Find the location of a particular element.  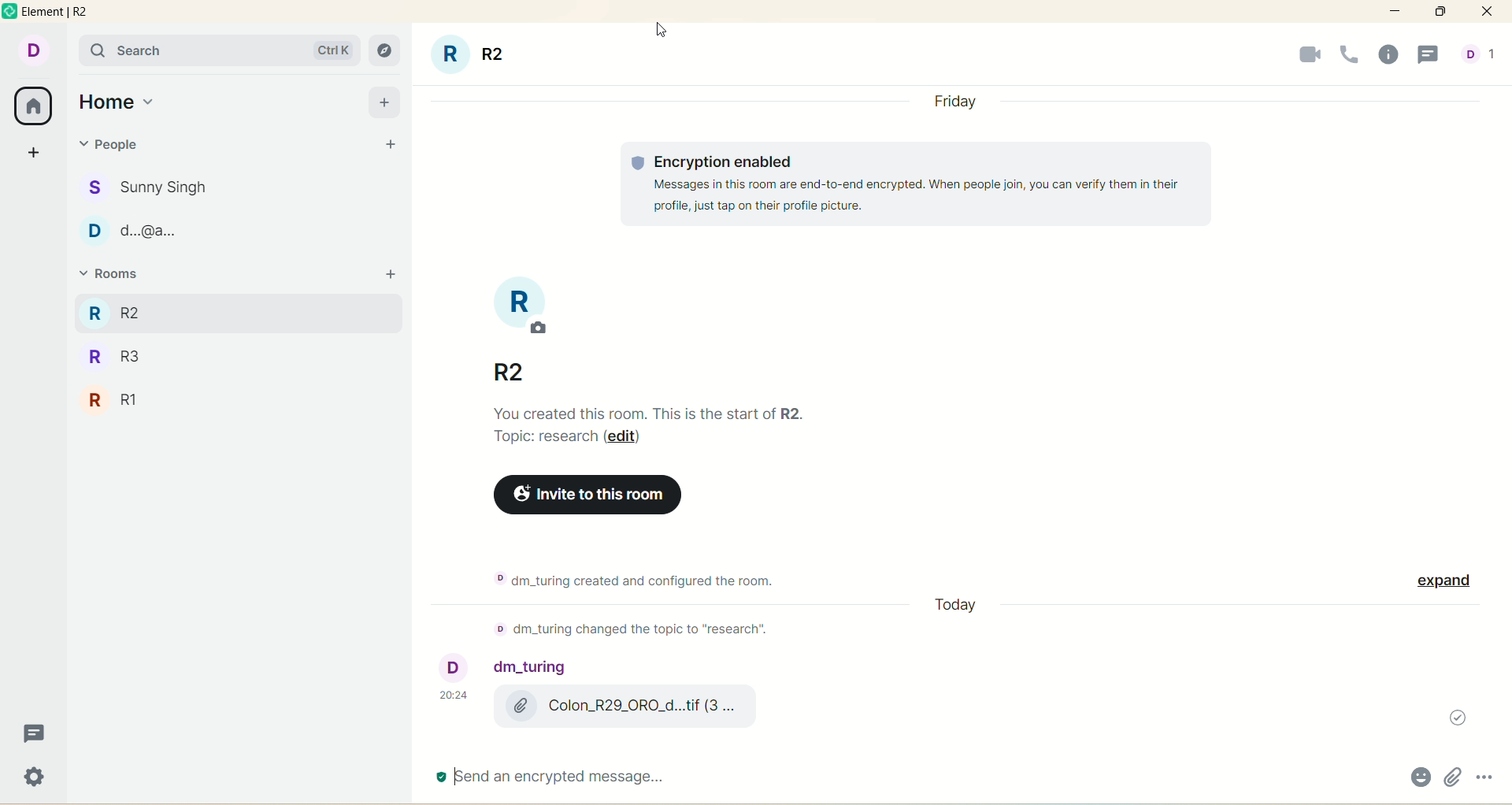

read receipt is located at coordinates (1450, 718).